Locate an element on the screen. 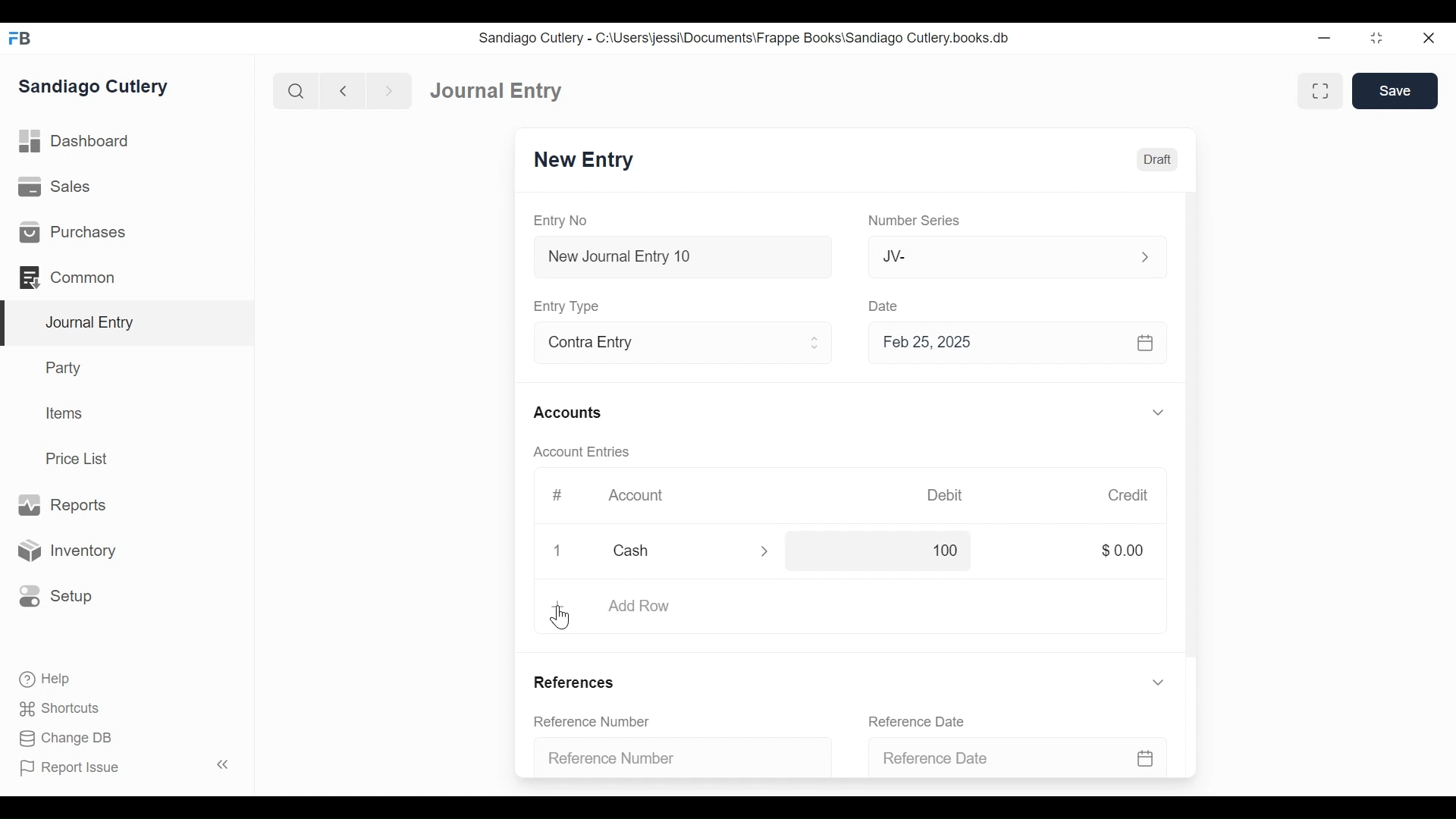 The width and height of the screenshot is (1456, 819). Purchases is located at coordinates (73, 233).